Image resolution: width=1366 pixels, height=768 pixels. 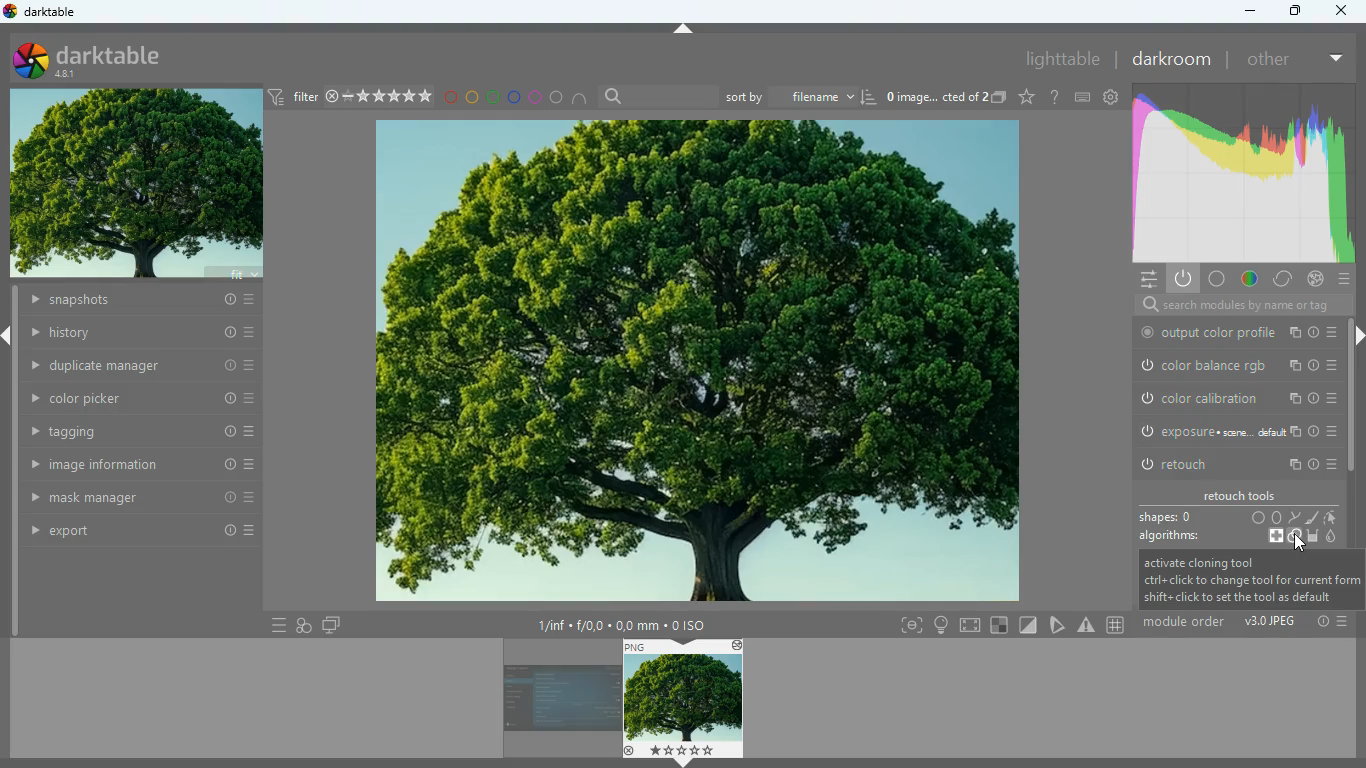 I want to click on description, so click(x=1250, y=580).